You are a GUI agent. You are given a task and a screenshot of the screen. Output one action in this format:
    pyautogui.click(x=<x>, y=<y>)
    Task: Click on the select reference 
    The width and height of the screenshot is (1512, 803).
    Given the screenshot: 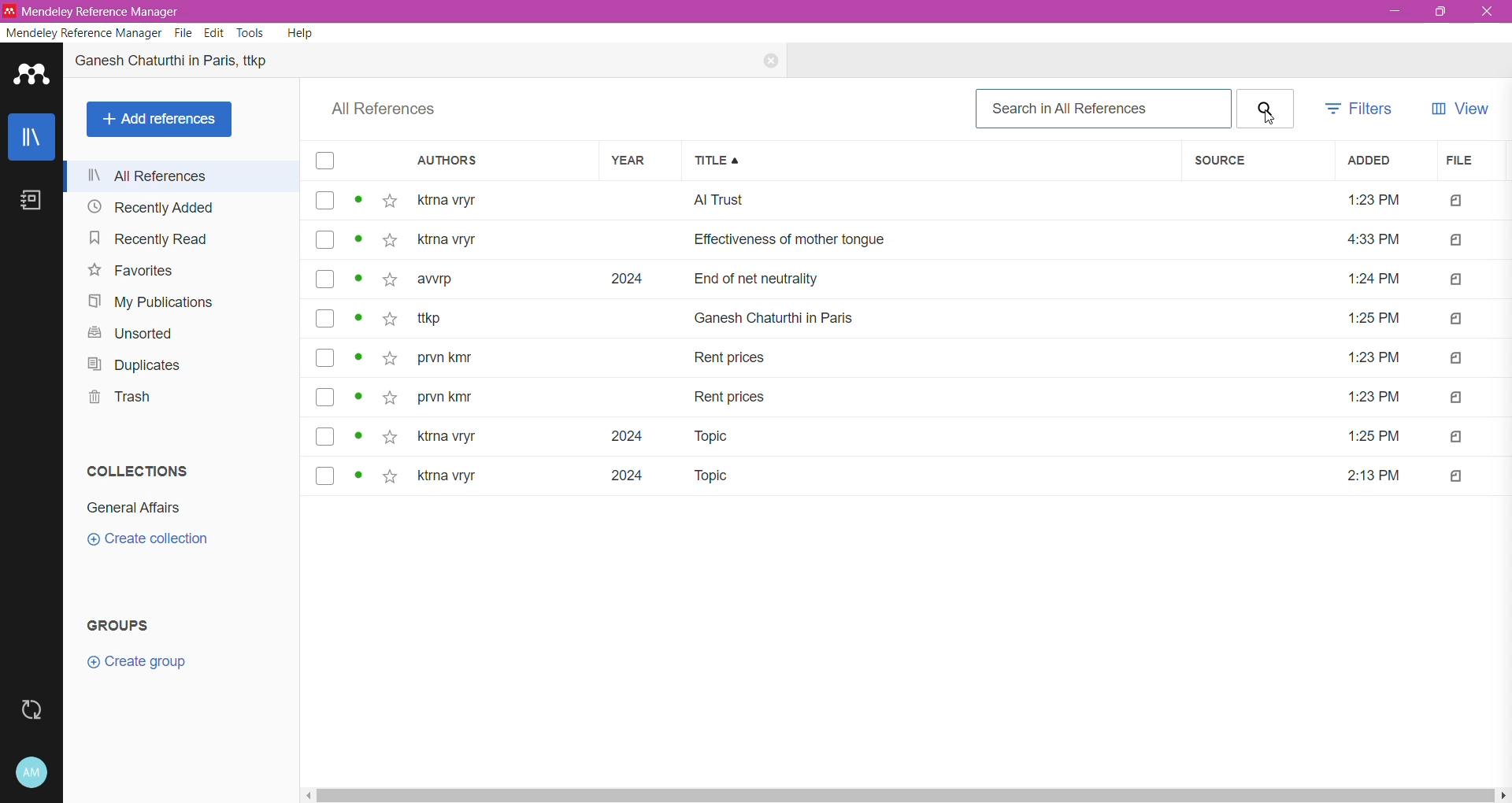 What is the action you would take?
    pyautogui.click(x=325, y=396)
    